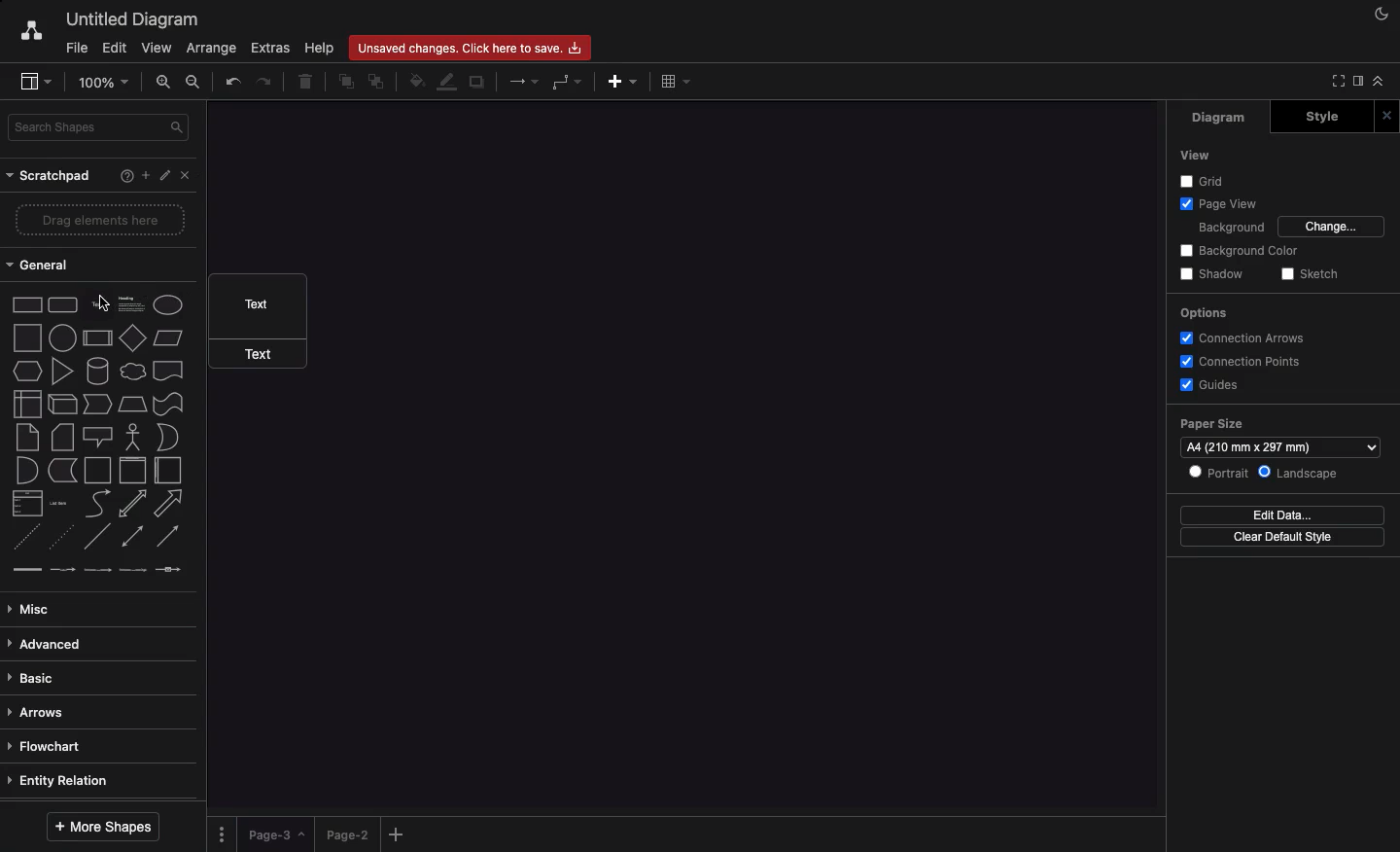  What do you see at coordinates (1198, 155) in the screenshot?
I see `View` at bounding box center [1198, 155].